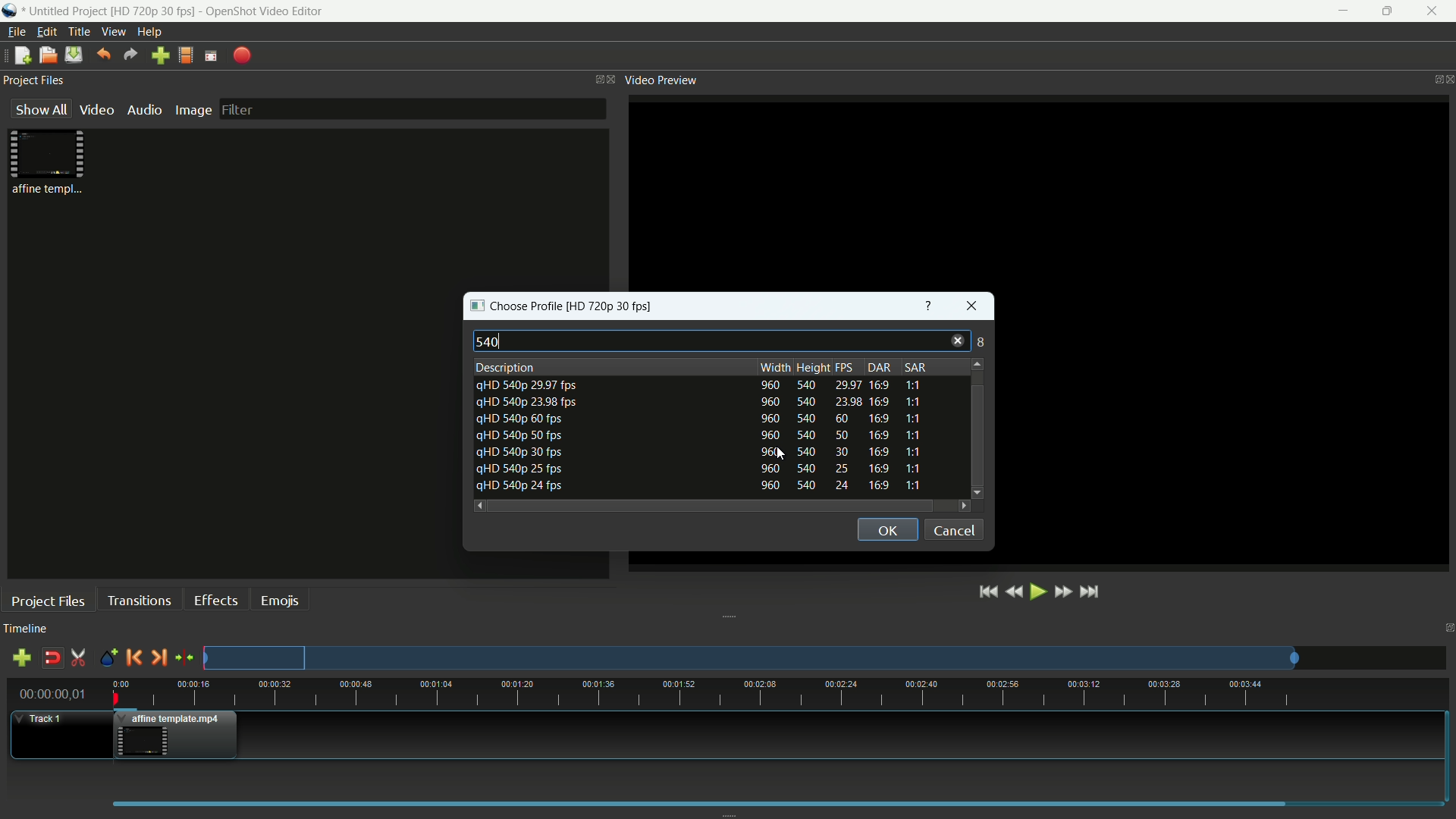 This screenshot has width=1456, height=819. What do you see at coordinates (972, 308) in the screenshot?
I see `close window` at bounding box center [972, 308].